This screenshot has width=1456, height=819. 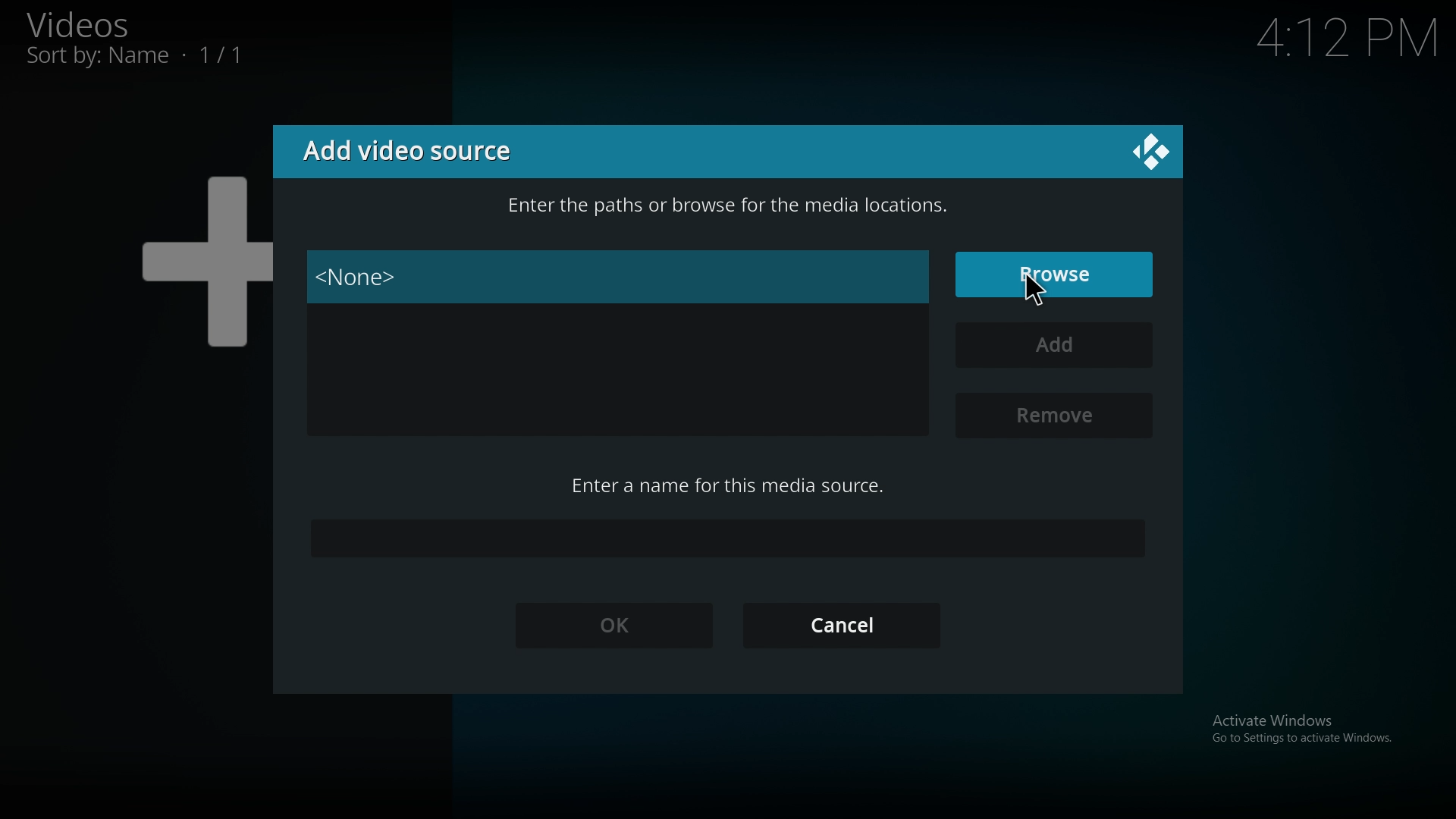 What do you see at coordinates (844, 624) in the screenshot?
I see `cancel` at bounding box center [844, 624].